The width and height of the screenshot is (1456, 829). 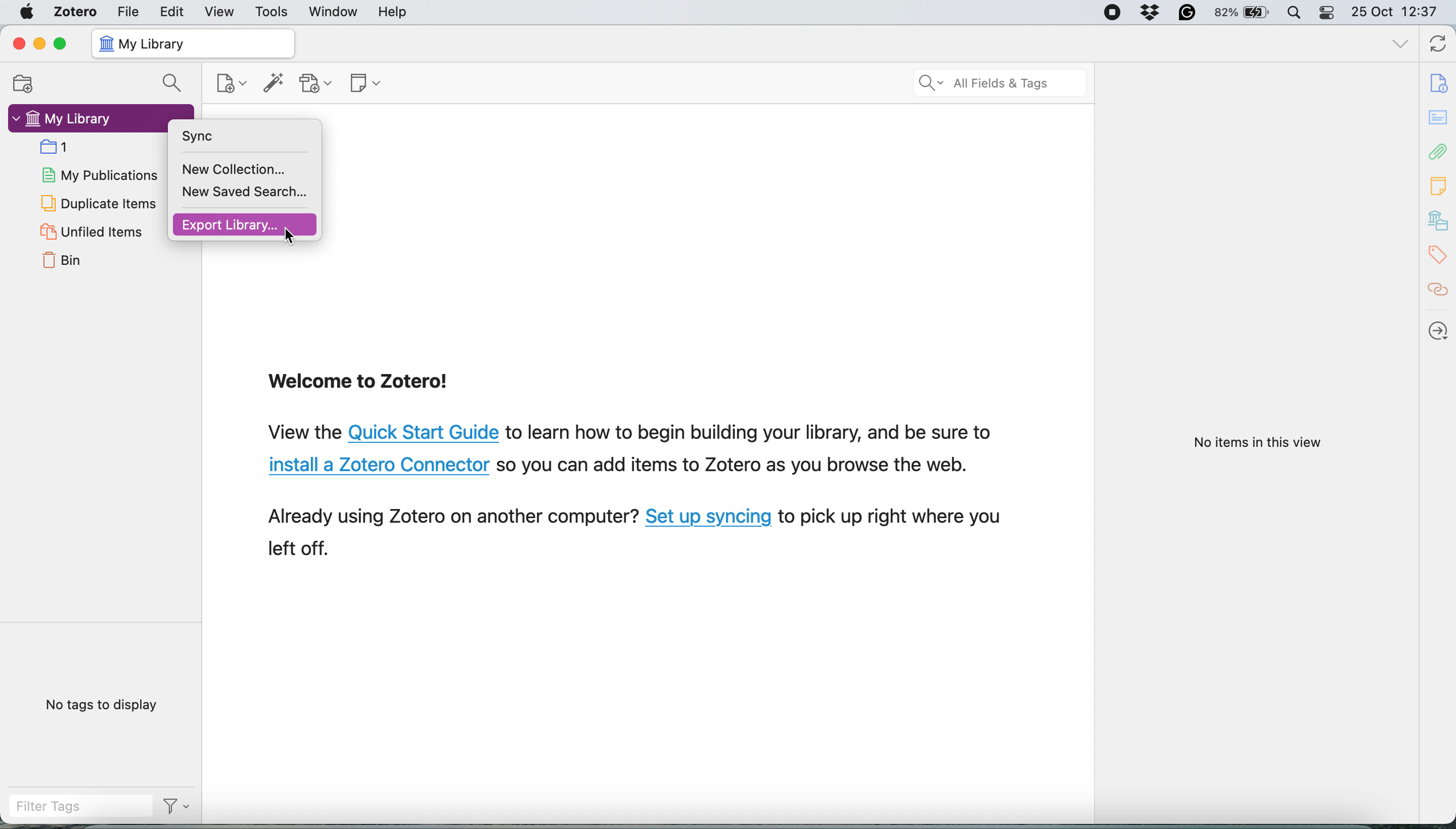 What do you see at coordinates (1400, 44) in the screenshot?
I see `list all tabs` at bounding box center [1400, 44].